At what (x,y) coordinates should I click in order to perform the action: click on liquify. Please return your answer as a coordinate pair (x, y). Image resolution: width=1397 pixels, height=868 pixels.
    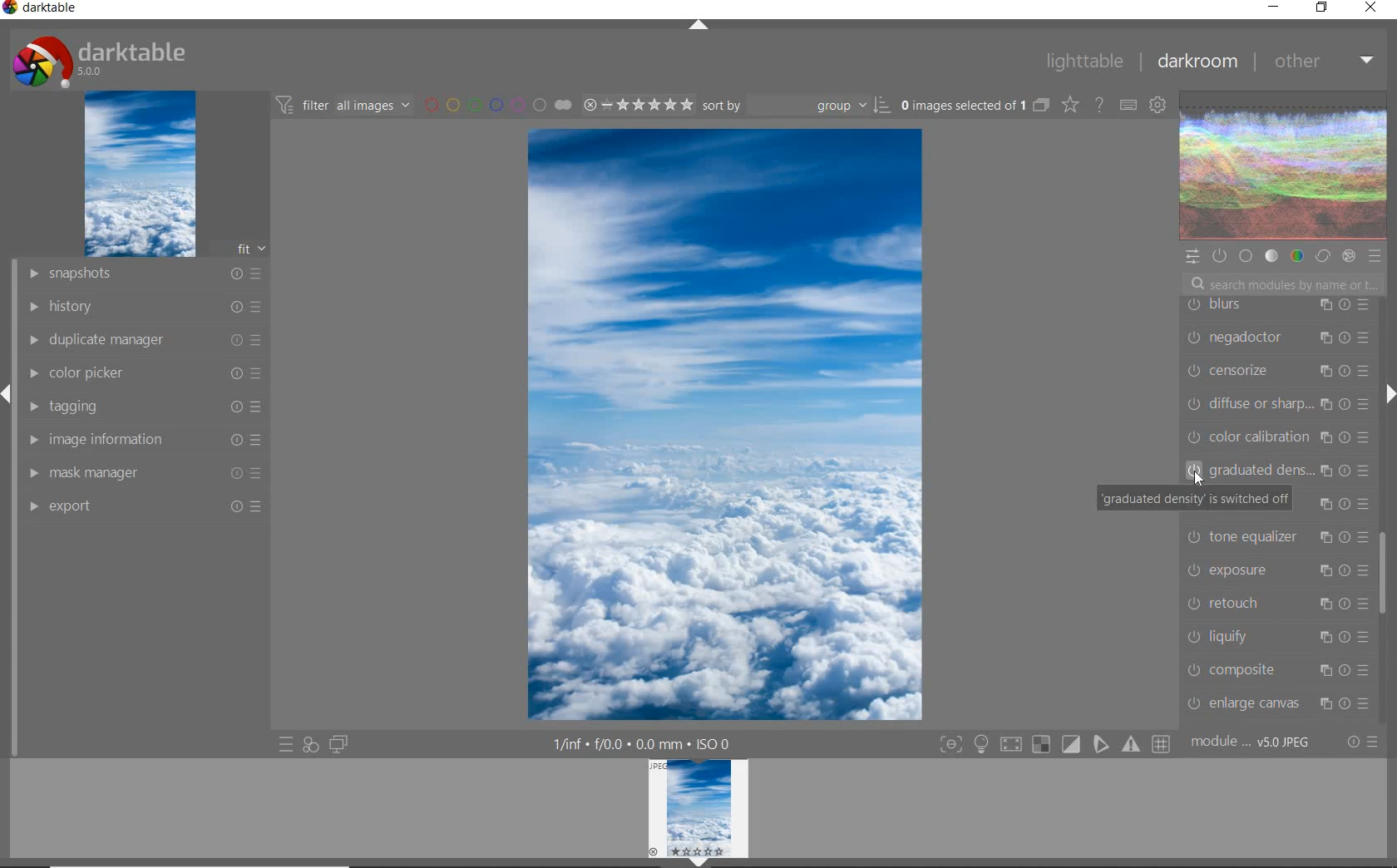
    Looking at the image, I should click on (1276, 635).